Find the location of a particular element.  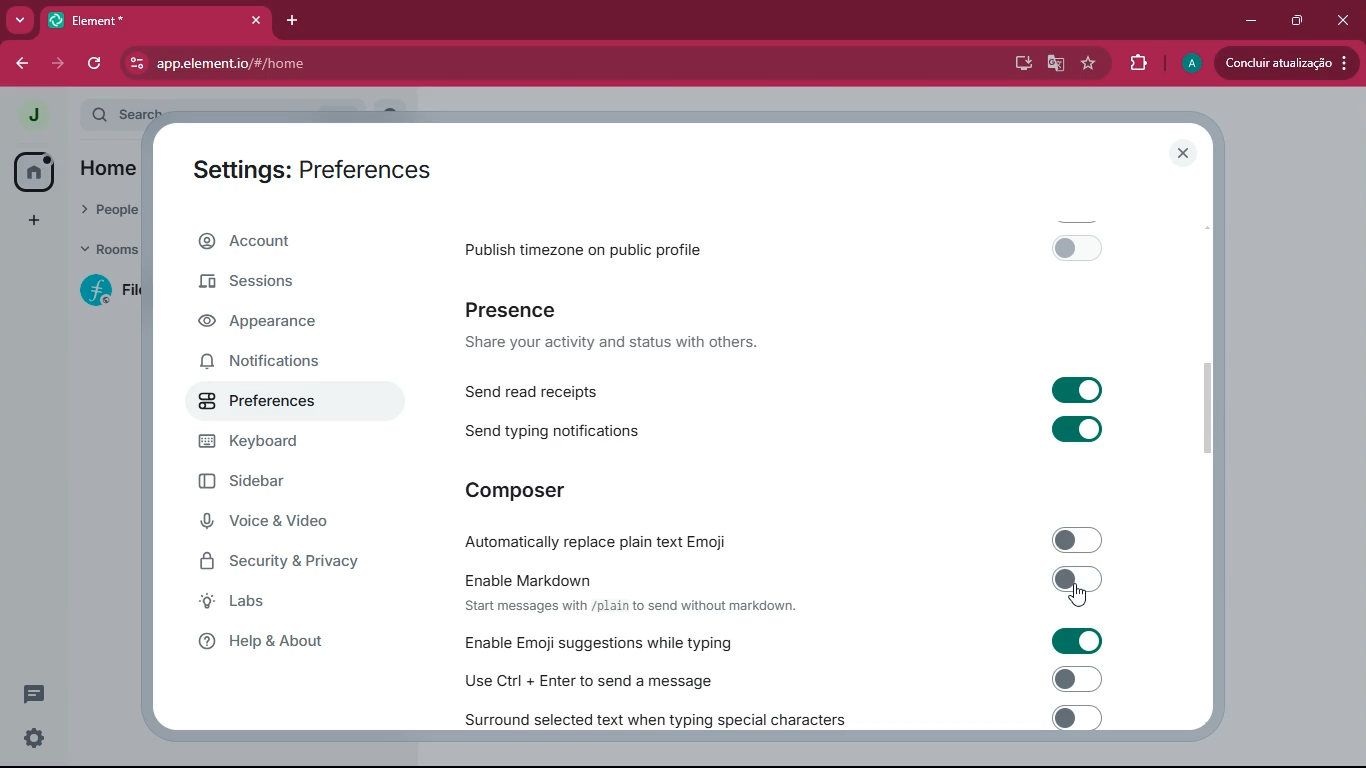

appearance is located at coordinates (270, 322).